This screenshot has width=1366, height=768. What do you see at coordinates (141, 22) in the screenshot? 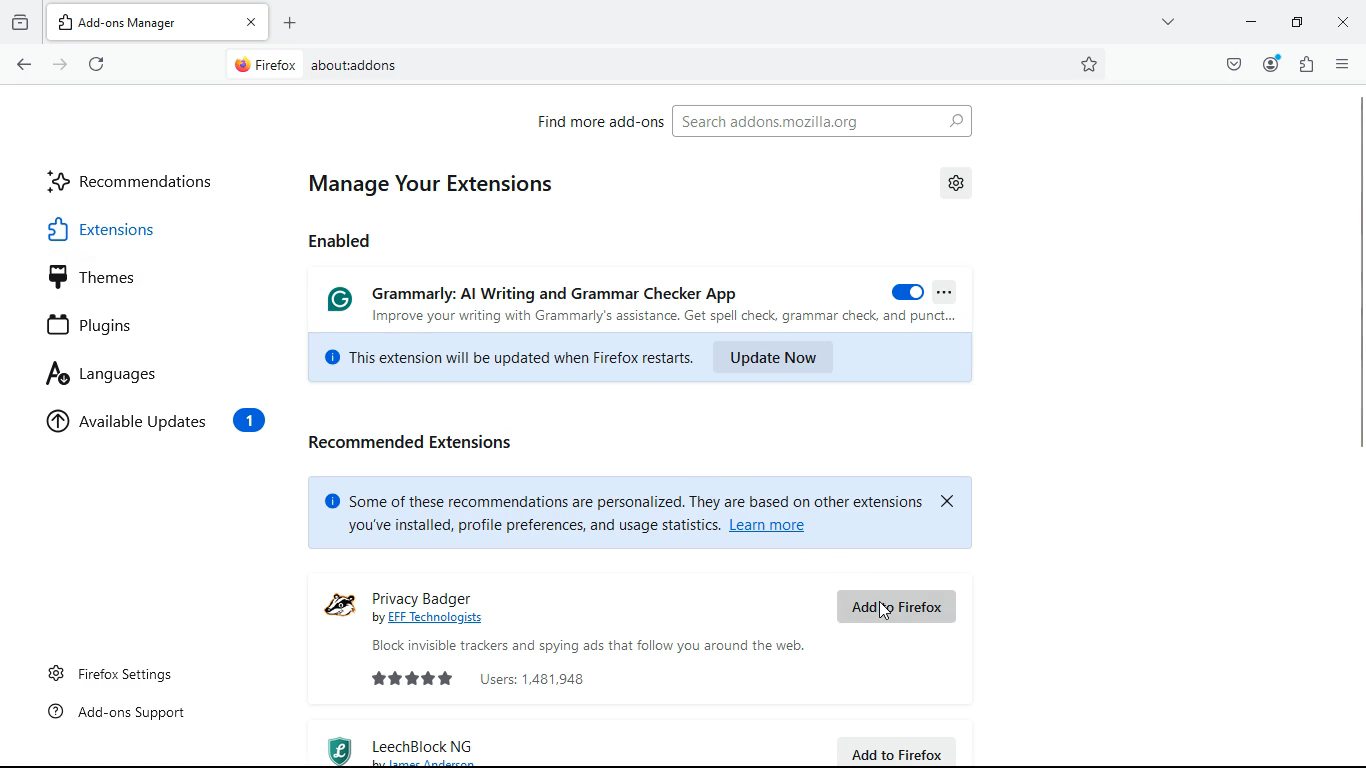
I see `Add-ons Manager` at bounding box center [141, 22].